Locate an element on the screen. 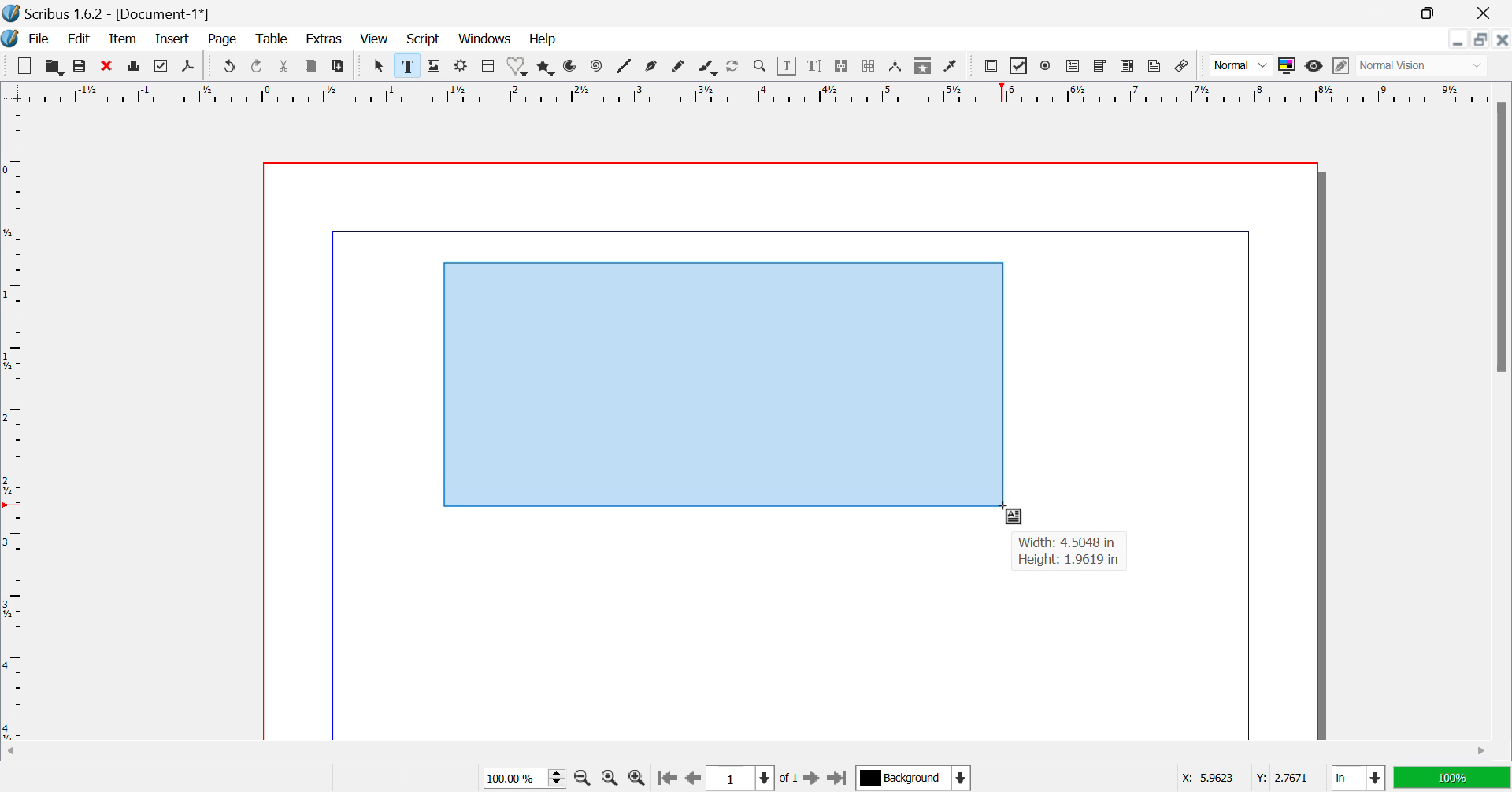  Zoom is located at coordinates (762, 68).